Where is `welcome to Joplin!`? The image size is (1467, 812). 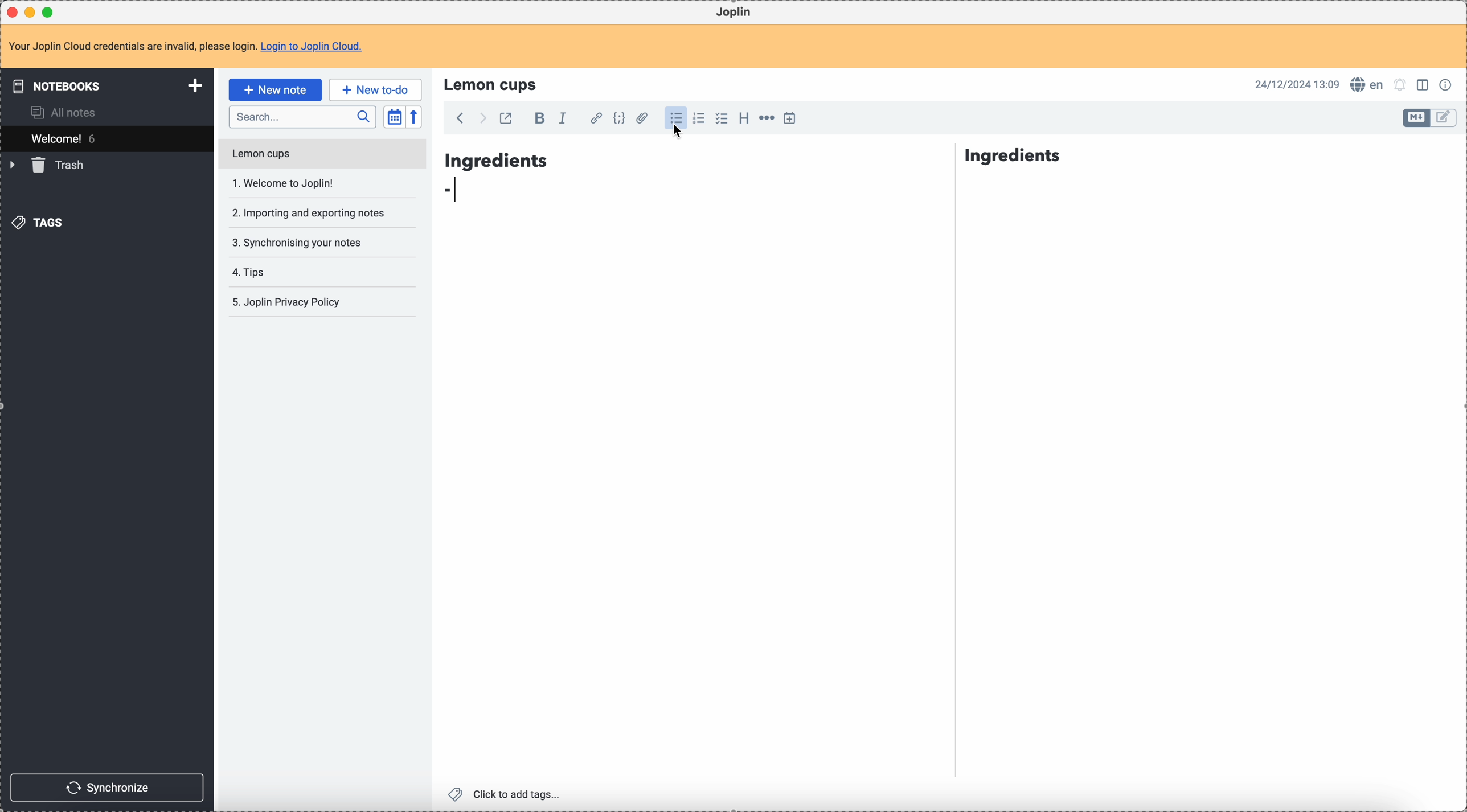 welcome to Joplin! is located at coordinates (284, 183).